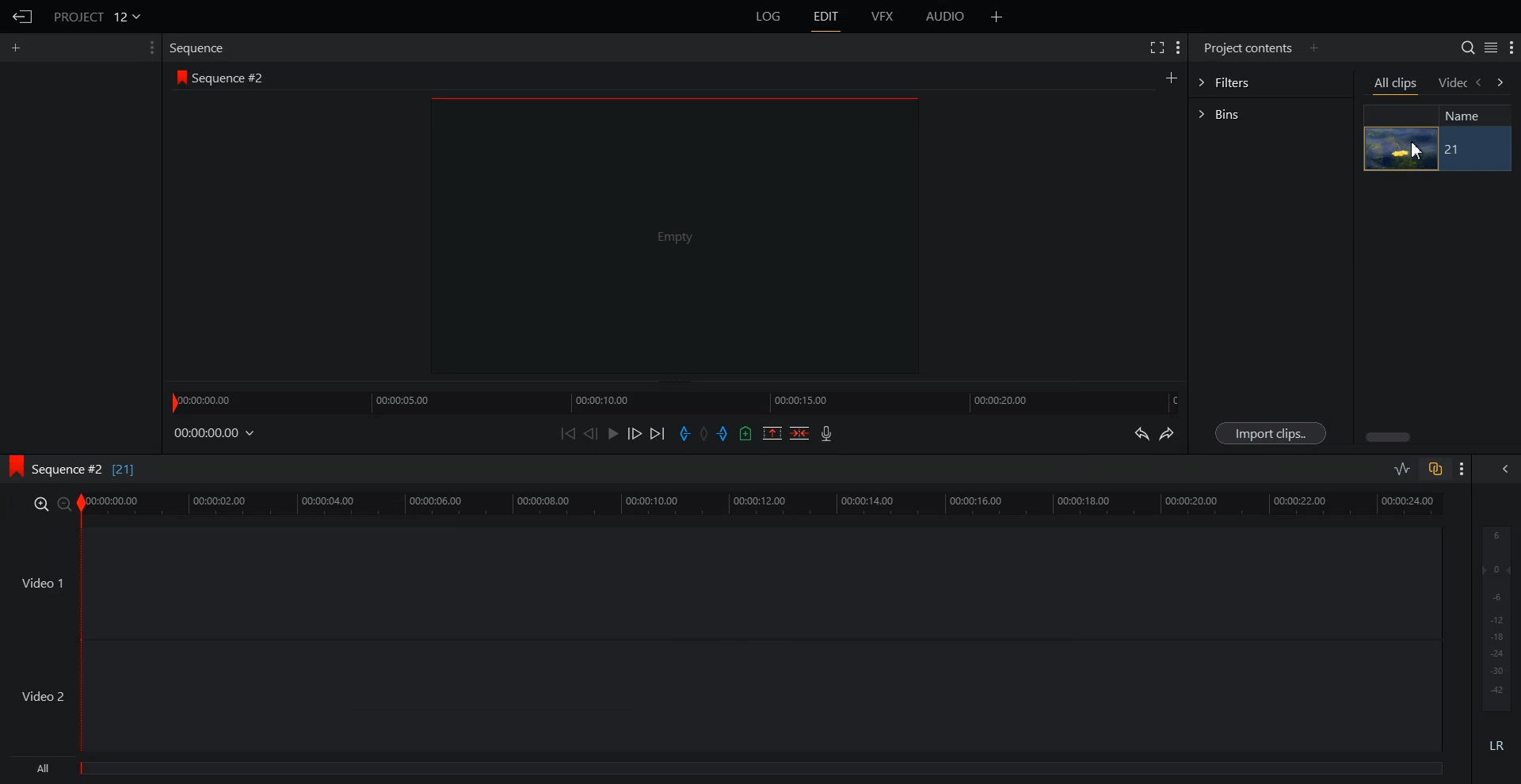 This screenshot has width=1521, height=784. I want to click on backward, so click(1481, 84).